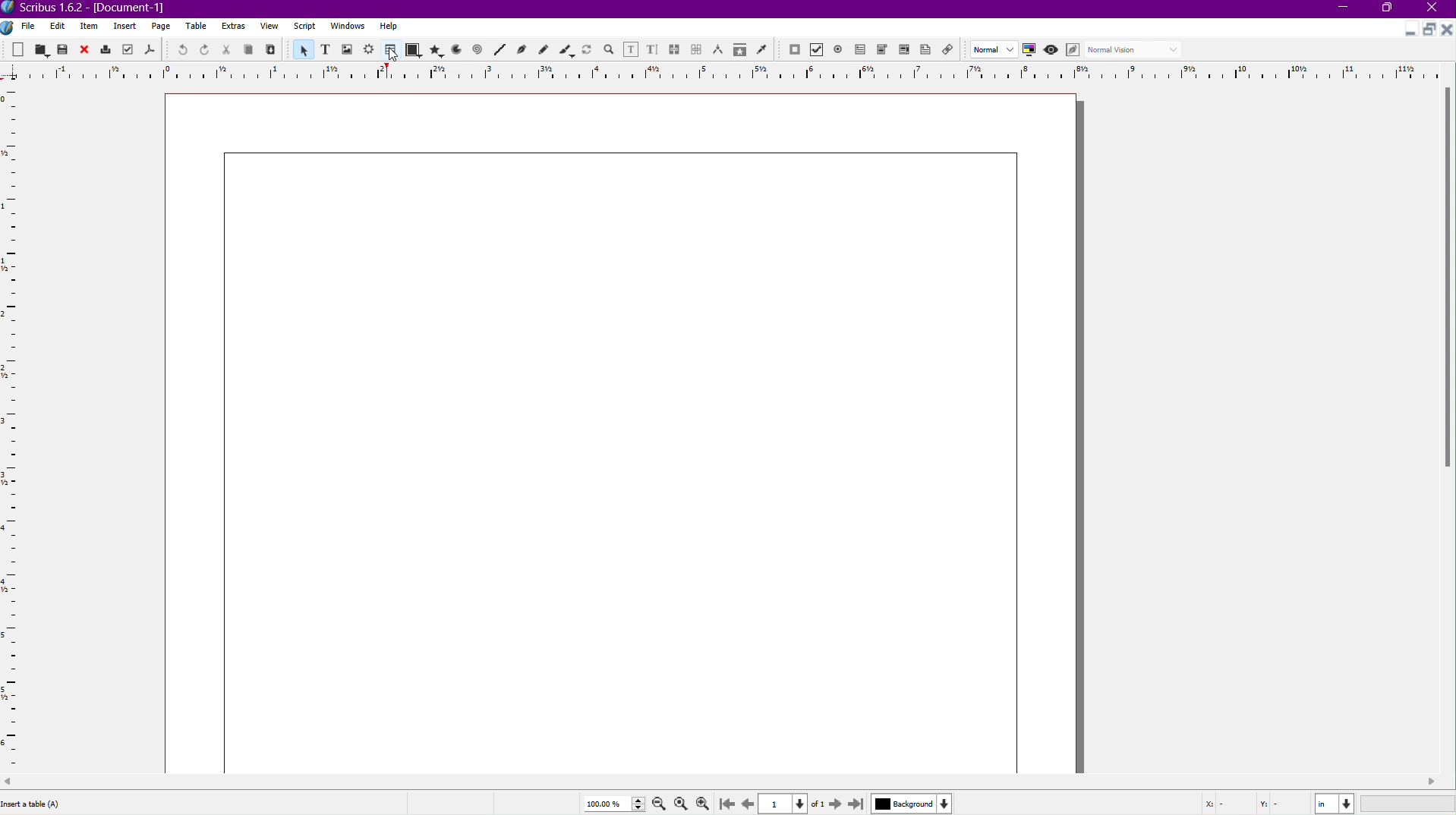 The height and width of the screenshot is (815, 1456). What do you see at coordinates (1053, 51) in the screenshot?
I see `Preview Mode` at bounding box center [1053, 51].